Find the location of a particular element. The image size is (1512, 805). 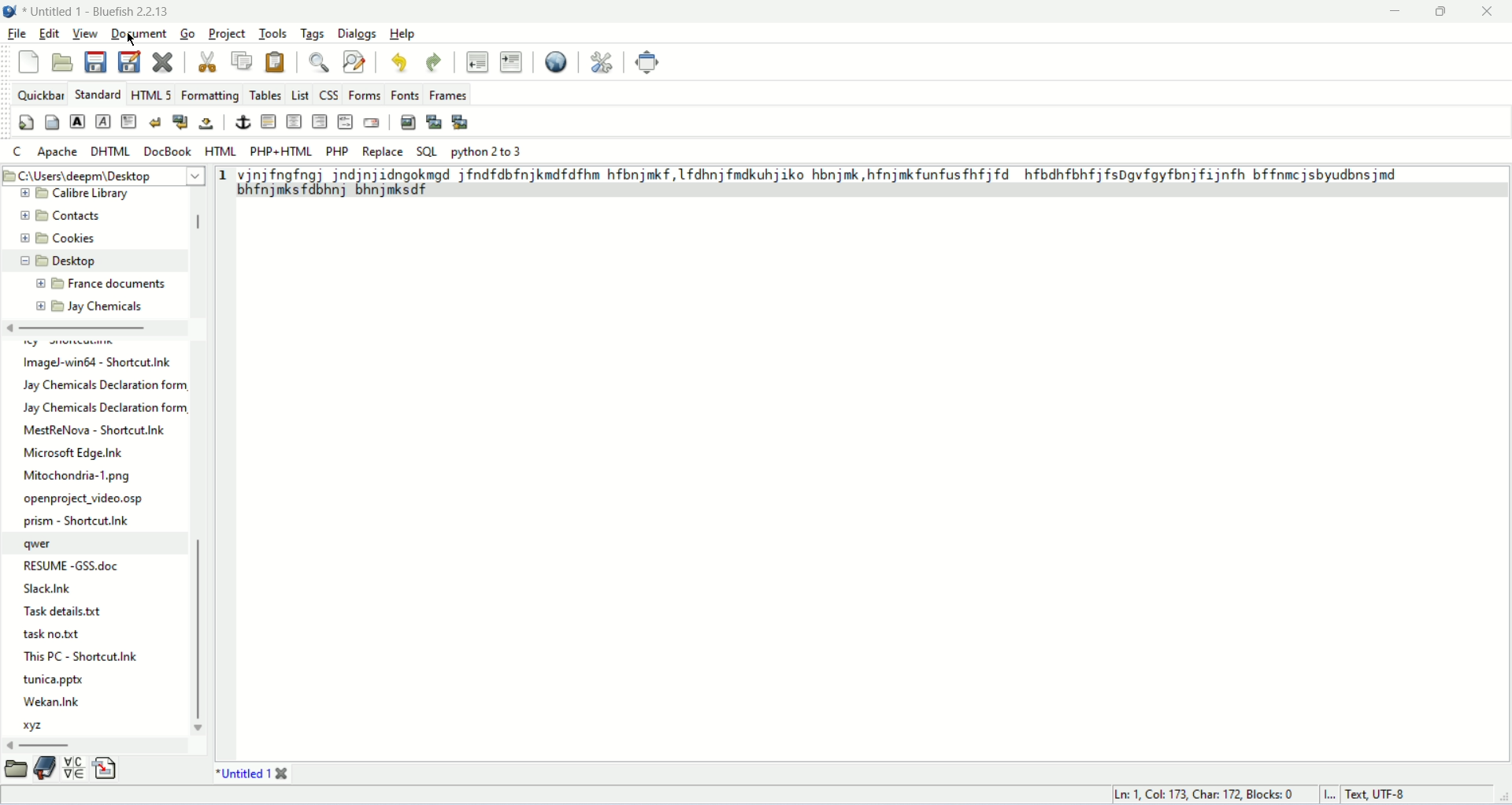

France documents. is located at coordinates (117, 284).